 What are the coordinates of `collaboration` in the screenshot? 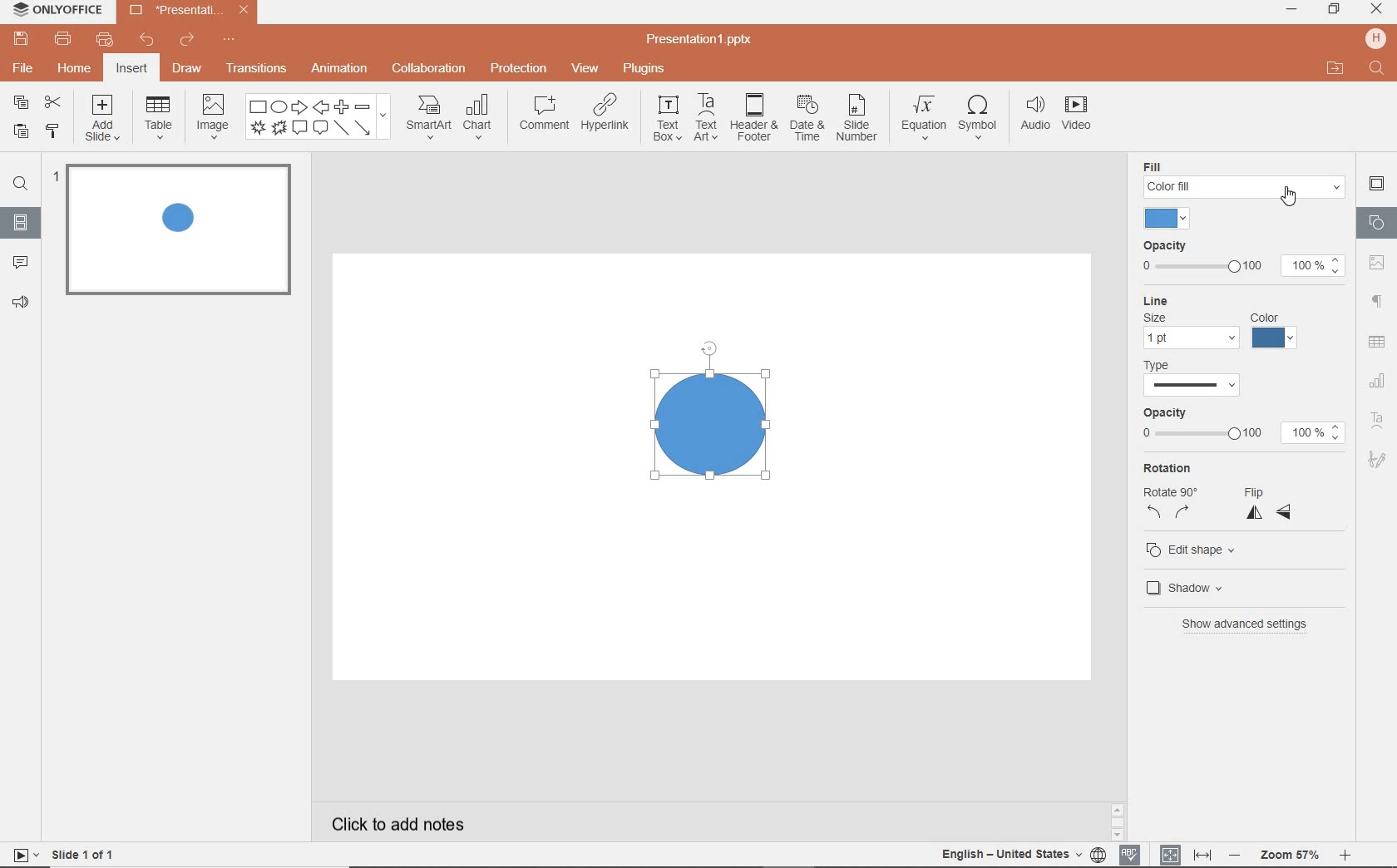 It's located at (430, 70).